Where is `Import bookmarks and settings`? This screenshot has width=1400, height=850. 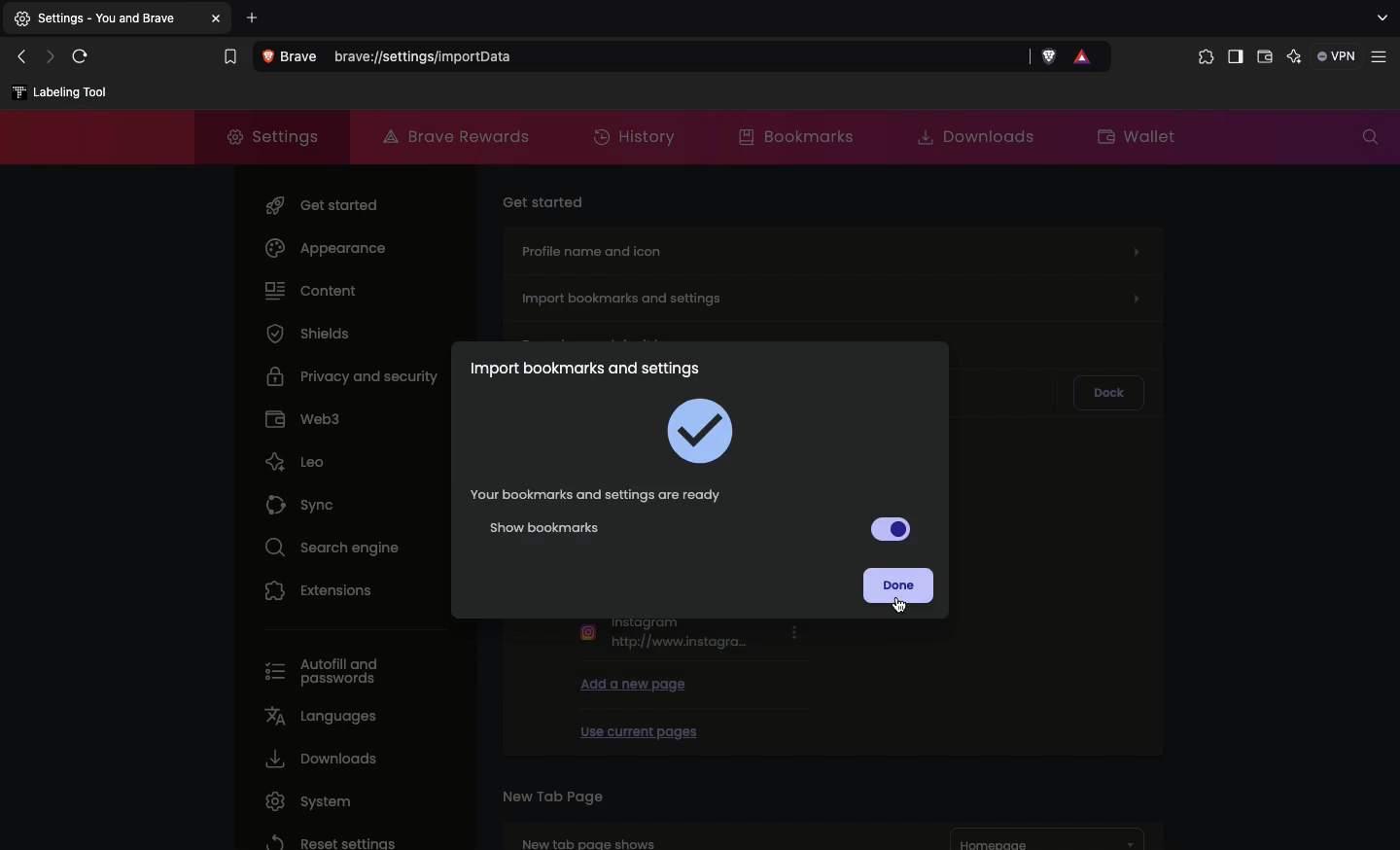
Import bookmarks and settings is located at coordinates (585, 368).